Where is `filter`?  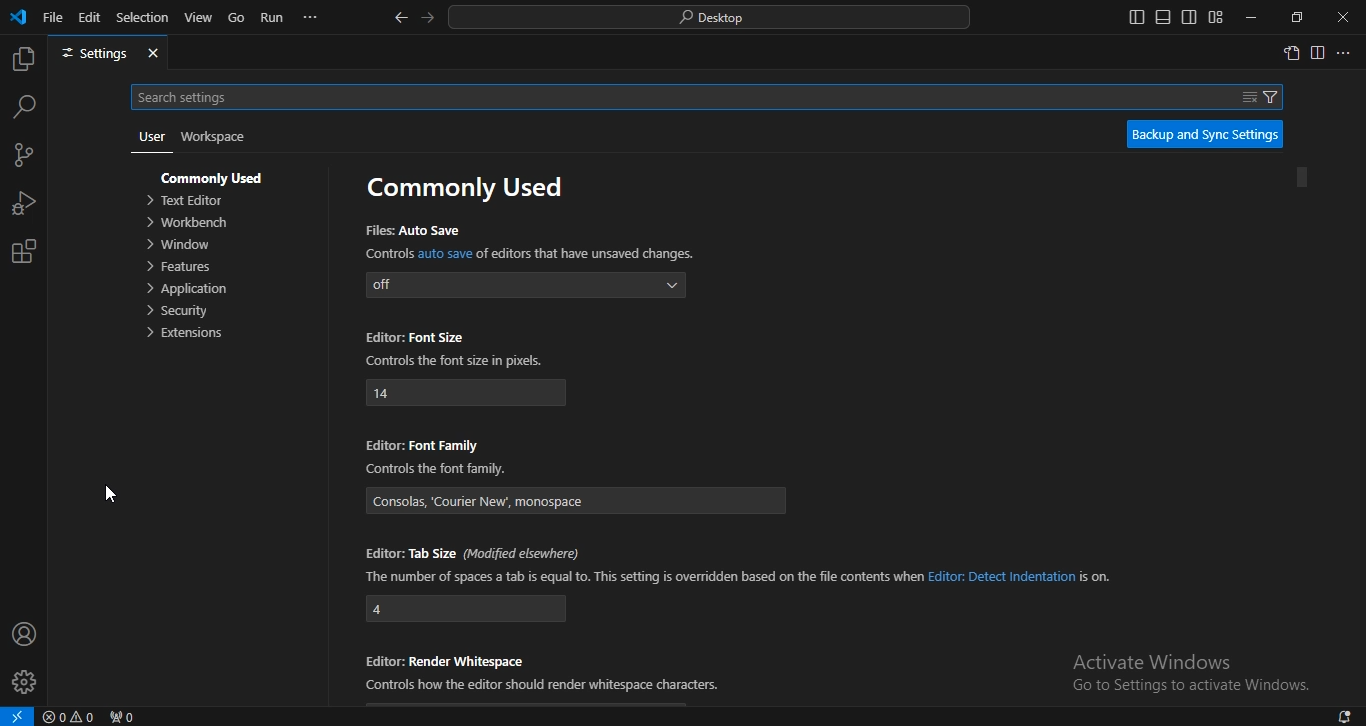
filter is located at coordinates (1257, 97).